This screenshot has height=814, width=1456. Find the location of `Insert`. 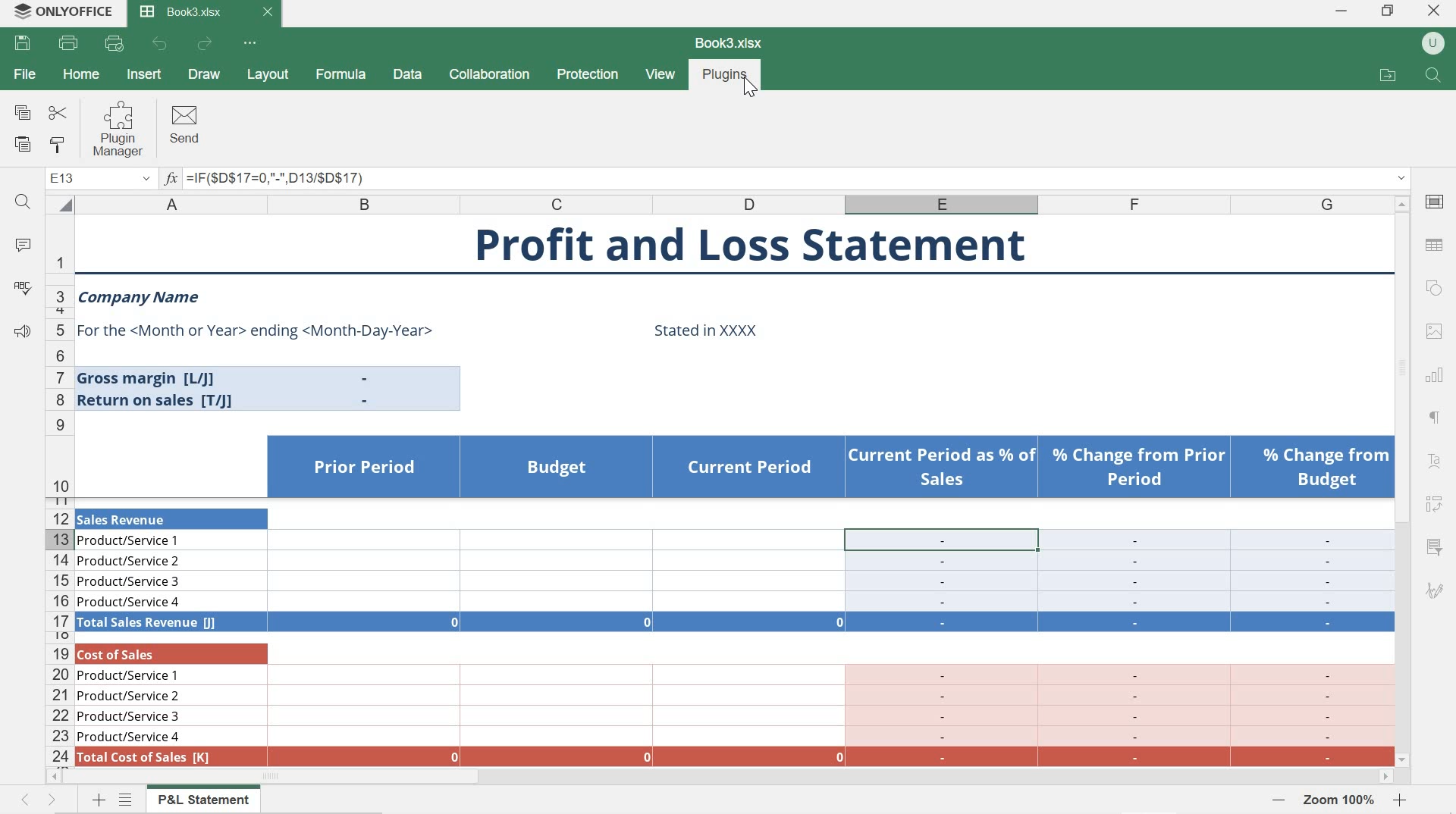

Insert is located at coordinates (145, 74).